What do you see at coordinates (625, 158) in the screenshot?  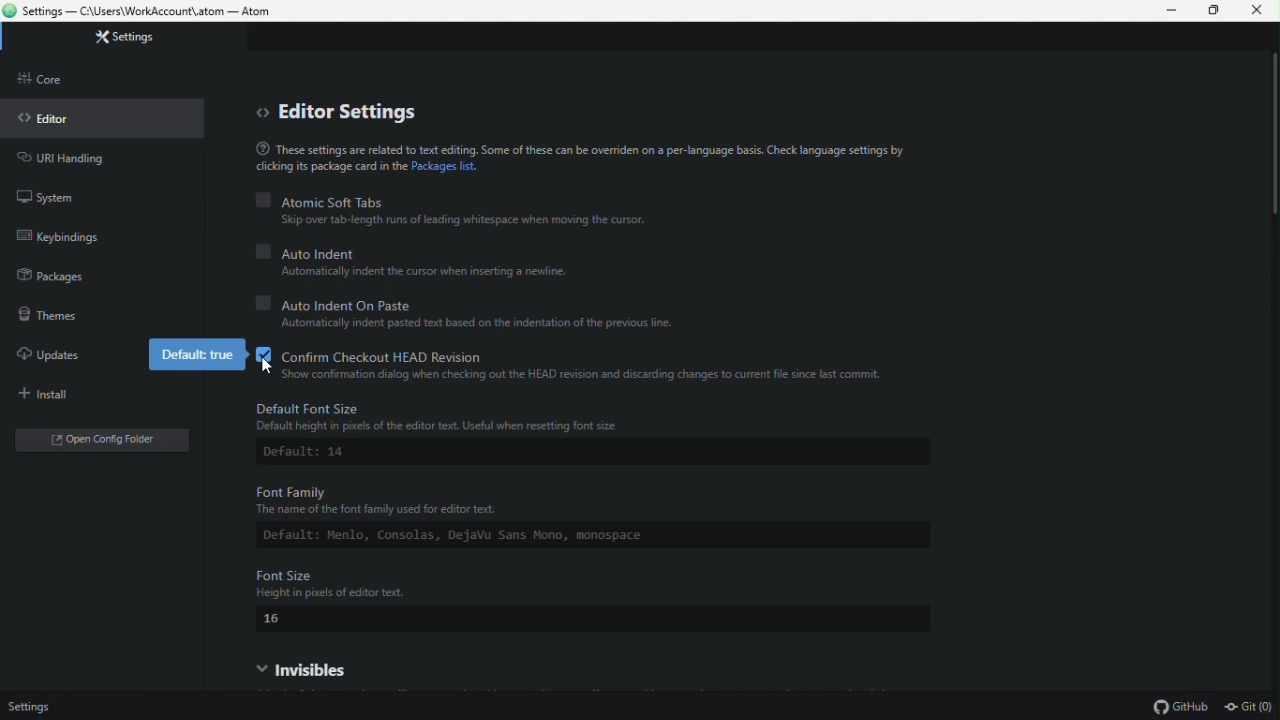 I see `(® These settings are related to text editing. Some of these can be overriden on a per-language basis. Check language settings by clicking is package card in the Packages list.` at bounding box center [625, 158].